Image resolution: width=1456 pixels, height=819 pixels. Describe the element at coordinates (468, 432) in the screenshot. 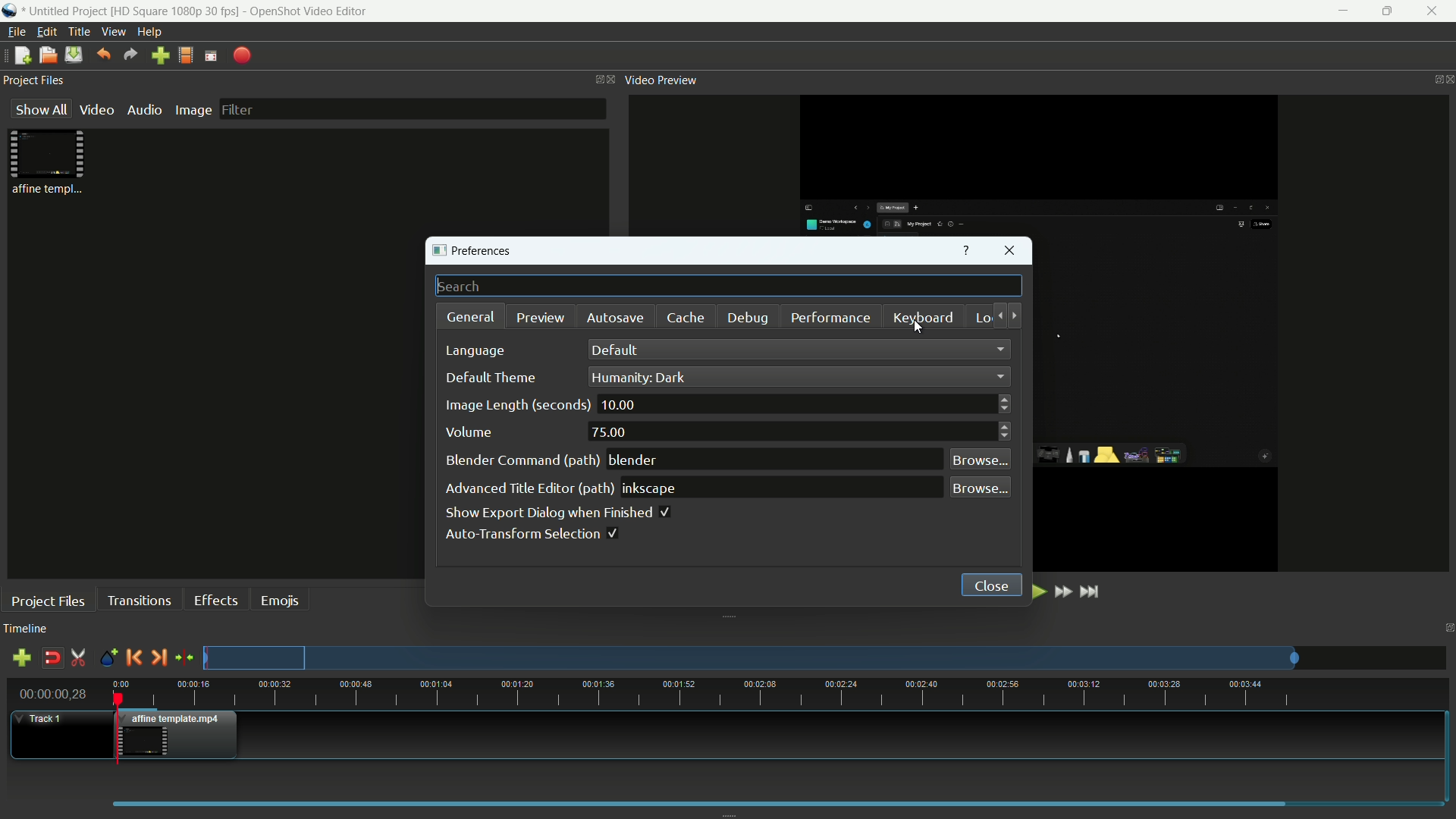

I see `volume` at that location.